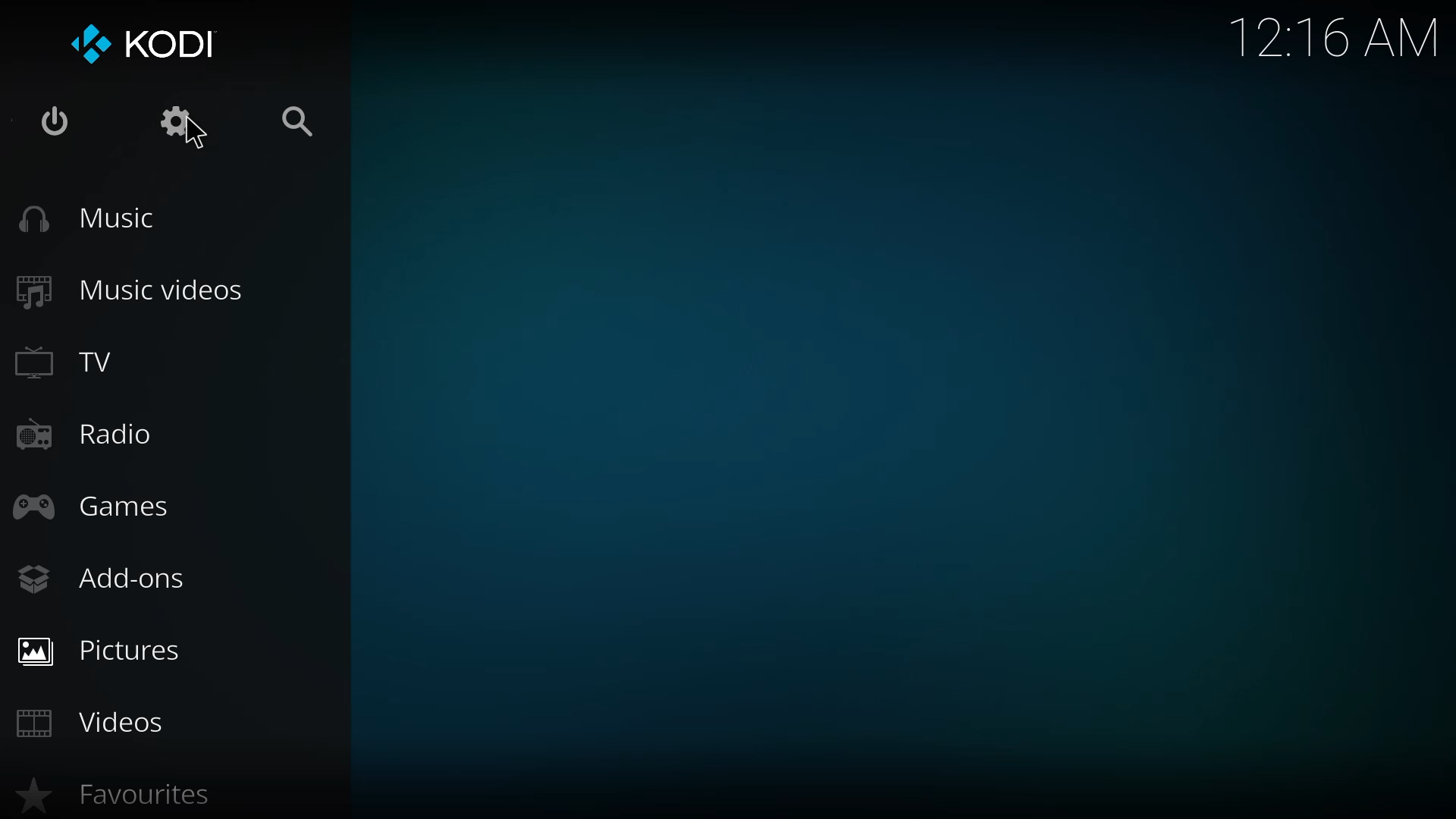  What do you see at coordinates (110, 651) in the screenshot?
I see `pictures` at bounding box center [110, 651].